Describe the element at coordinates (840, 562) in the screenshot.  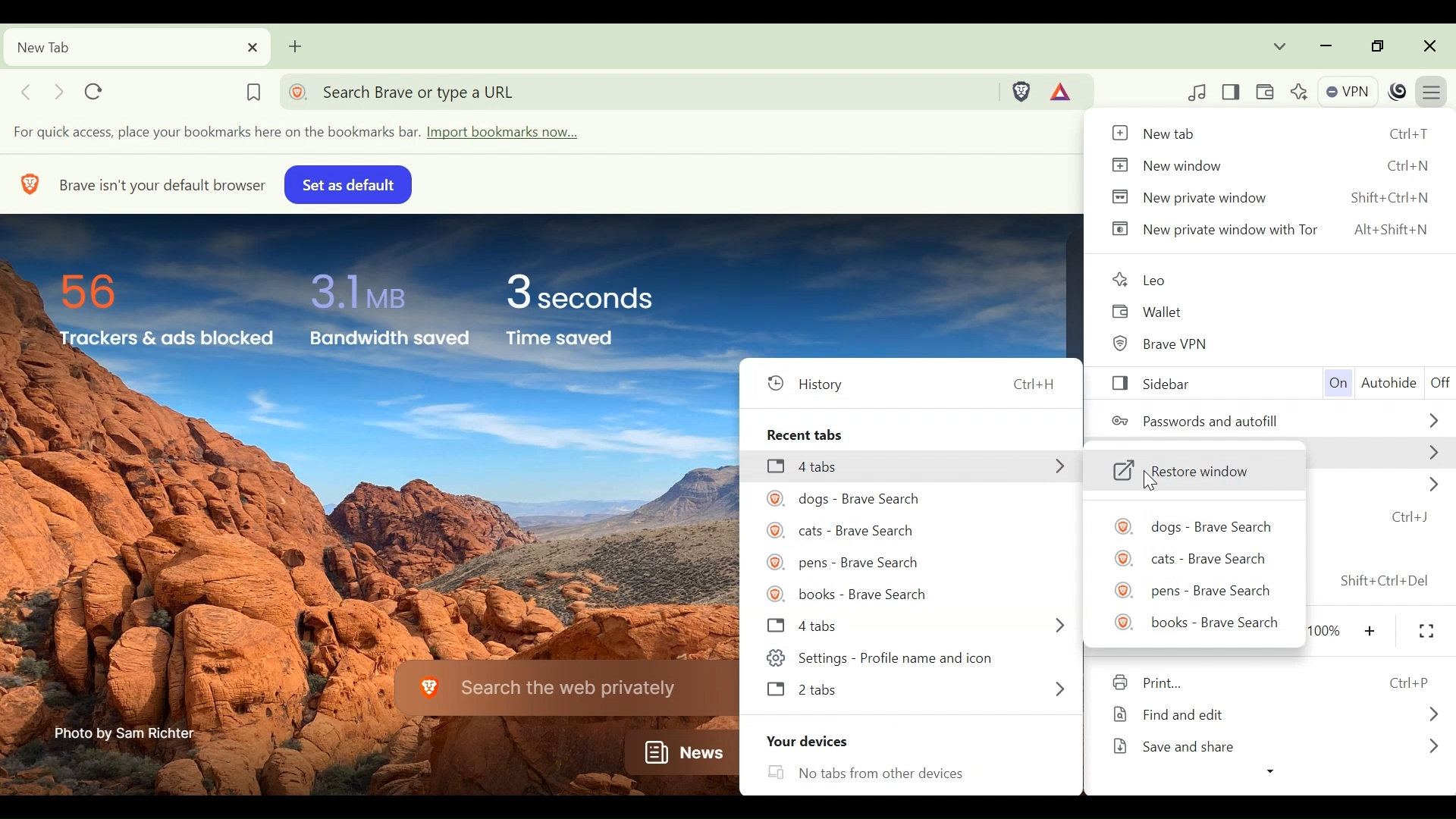
I see `@). pens - Brave Search` at that location.